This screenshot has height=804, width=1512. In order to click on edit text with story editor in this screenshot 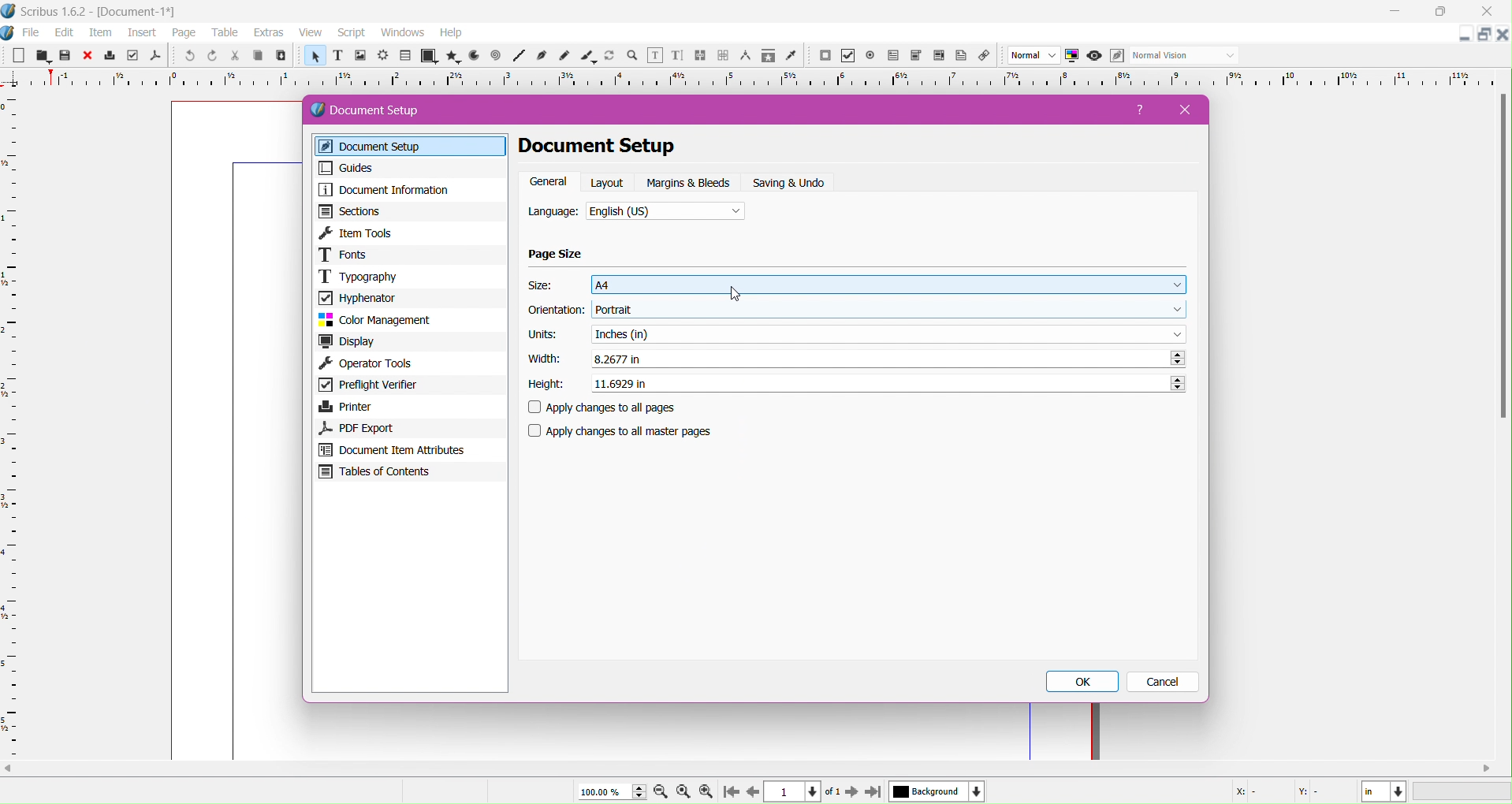, I will do `click(677, 57)`.